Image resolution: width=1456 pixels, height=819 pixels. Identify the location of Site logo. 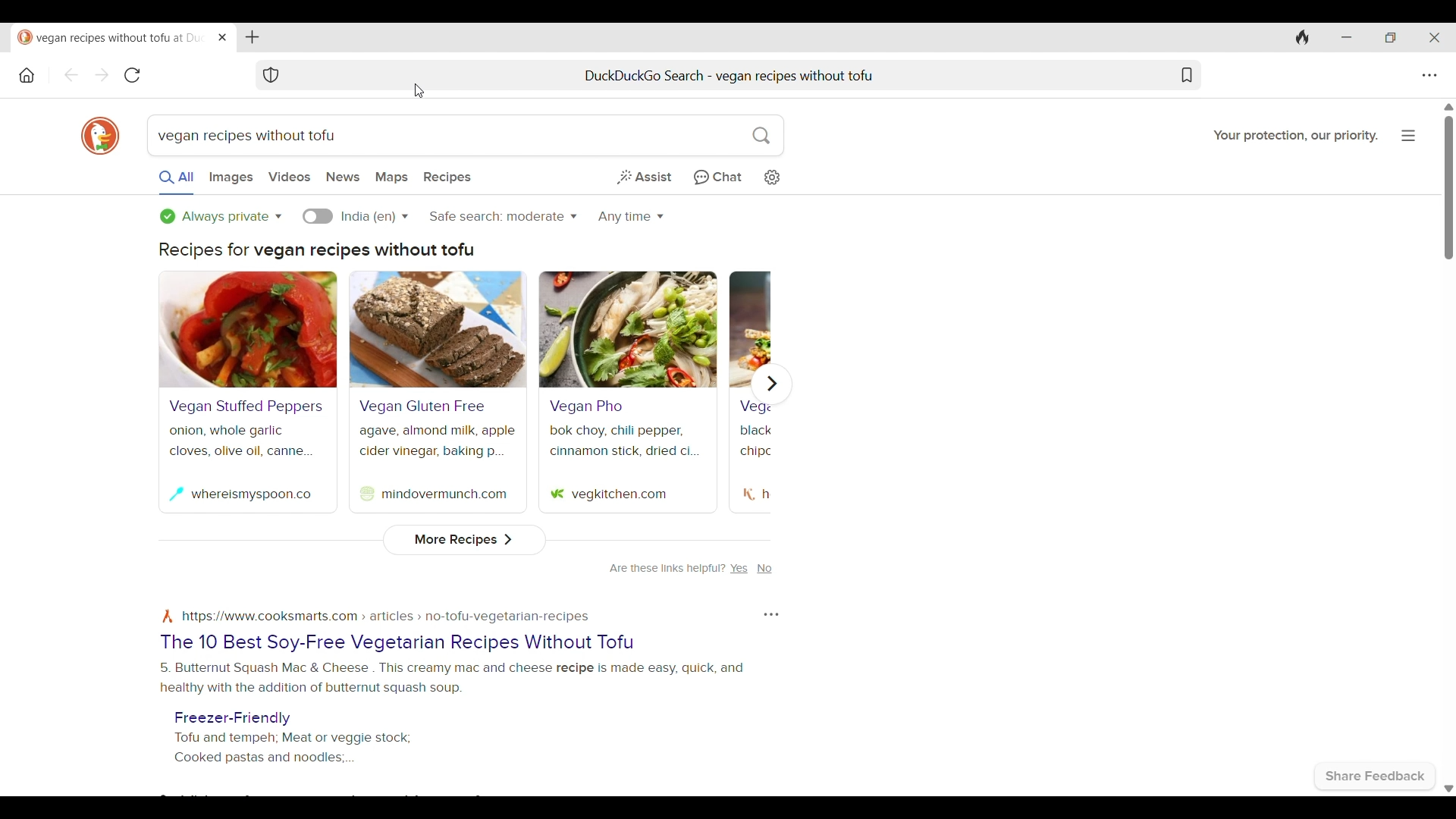
(168, 617).